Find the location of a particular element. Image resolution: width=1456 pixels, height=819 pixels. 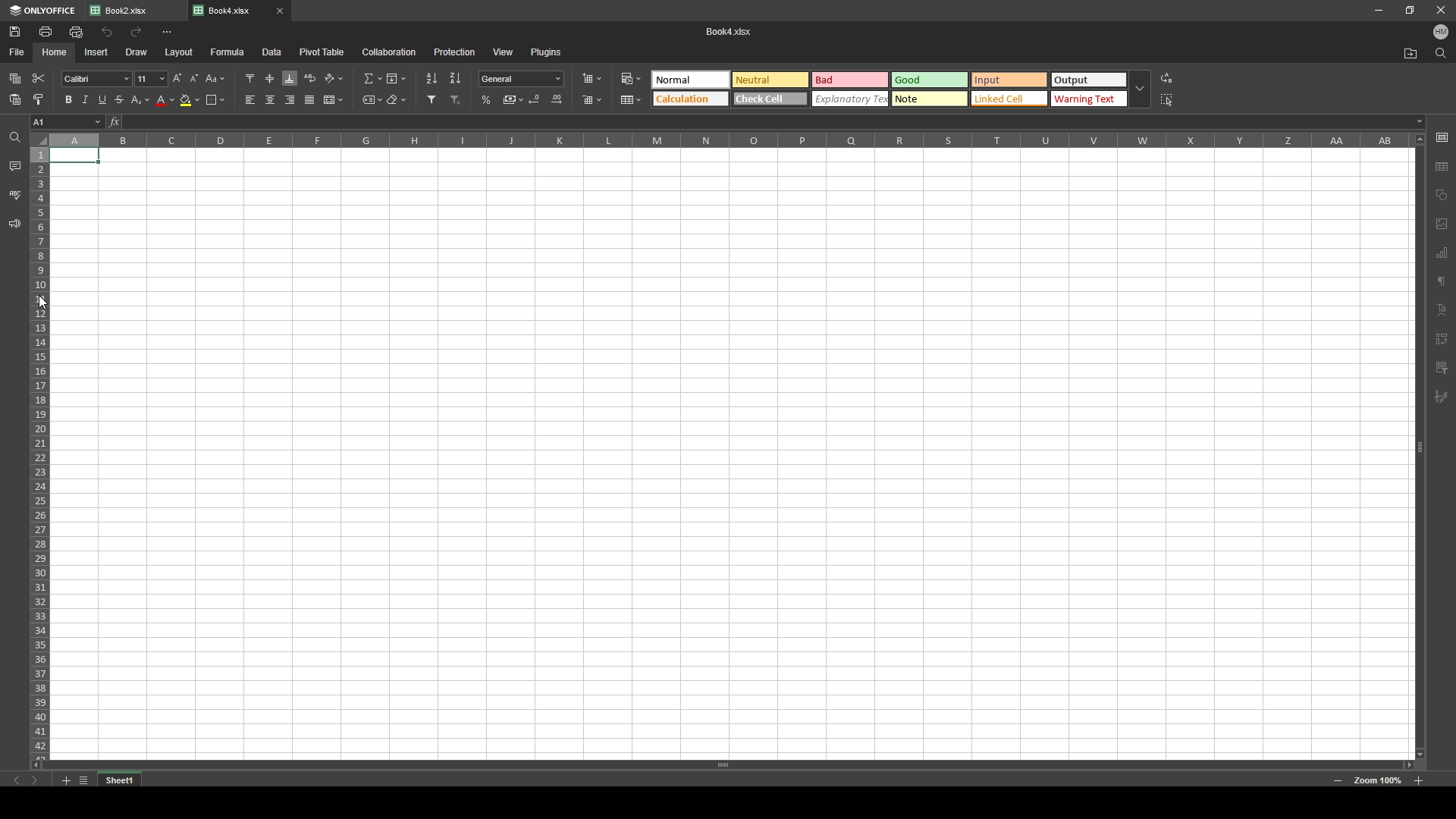

subscript is located at coordinates (140, 99).